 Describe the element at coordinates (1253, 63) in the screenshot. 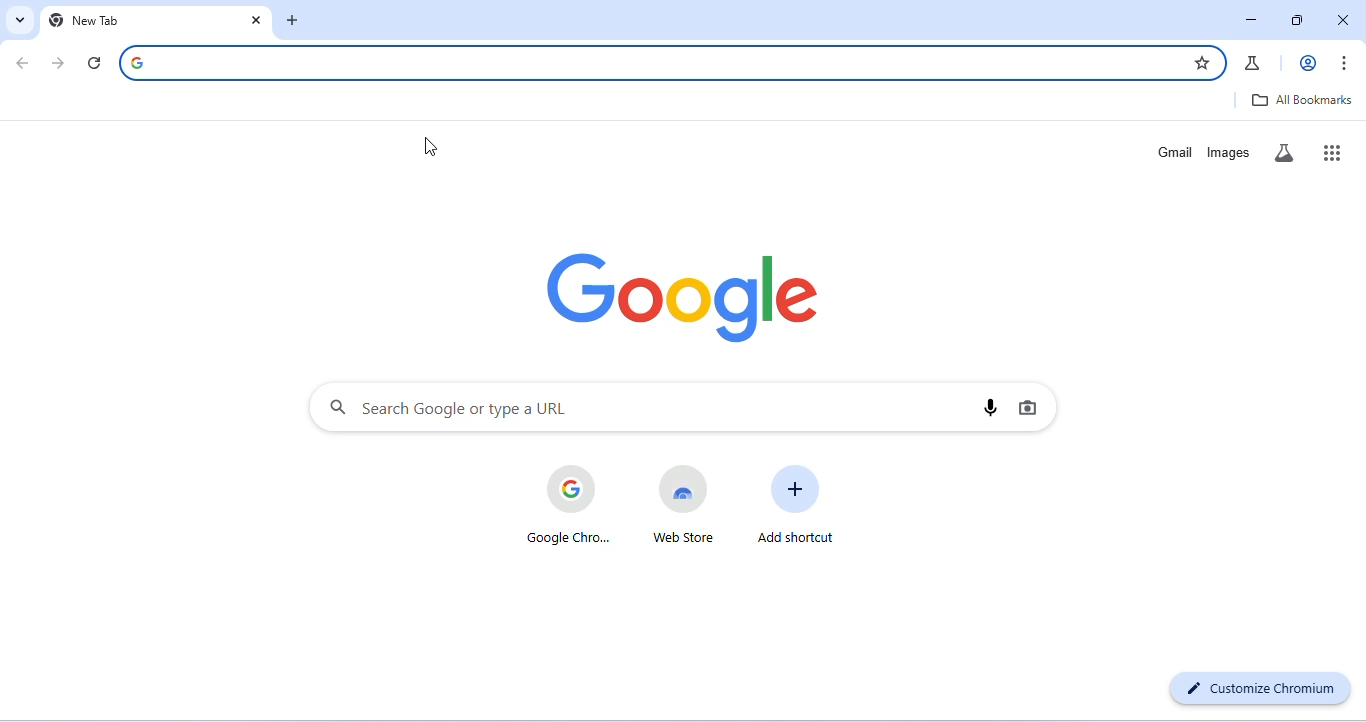

I see `chrome labs` at that location.